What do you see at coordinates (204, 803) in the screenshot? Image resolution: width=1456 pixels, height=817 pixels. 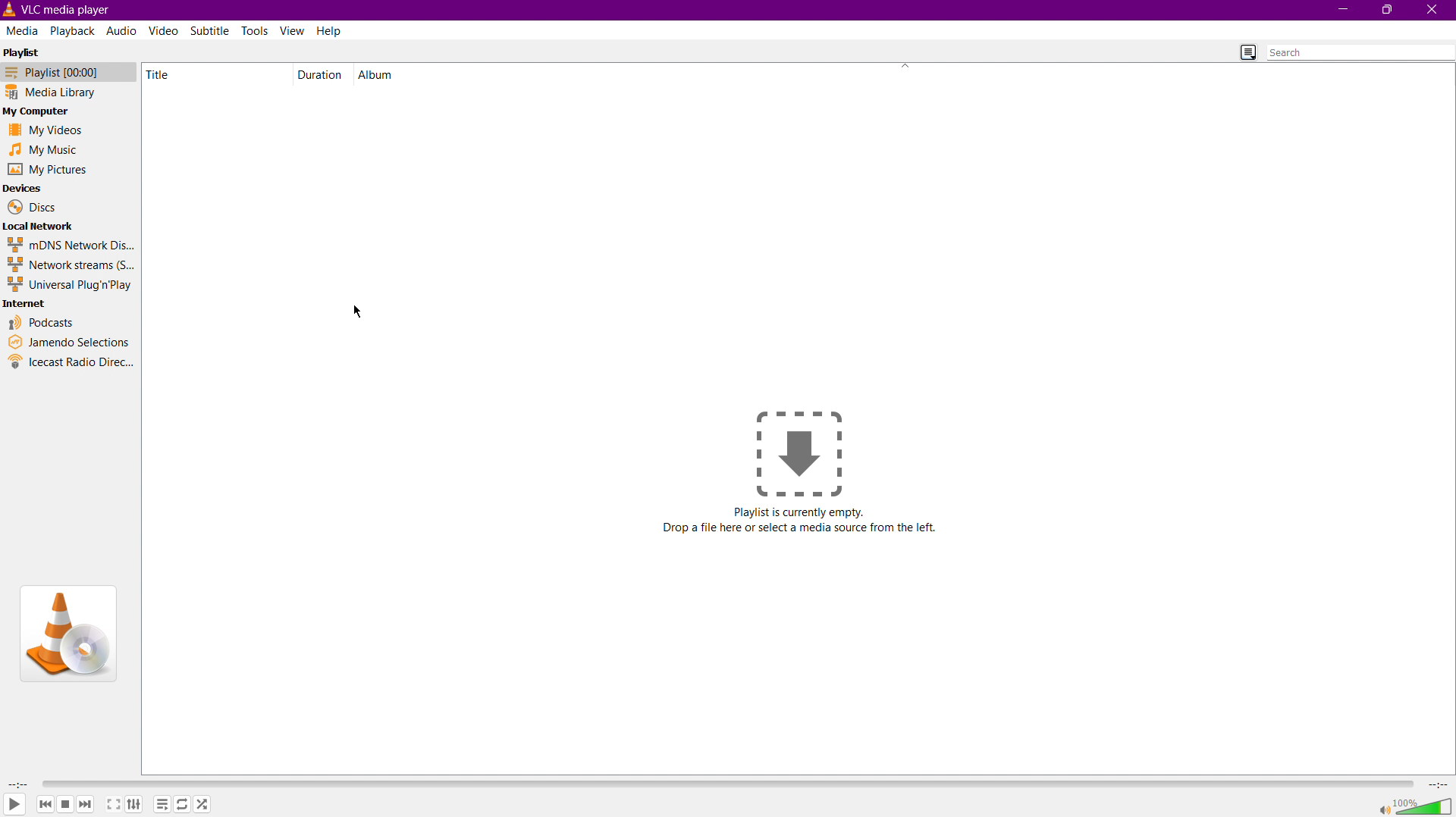 I see `Random` at bounding box center [204, 803].